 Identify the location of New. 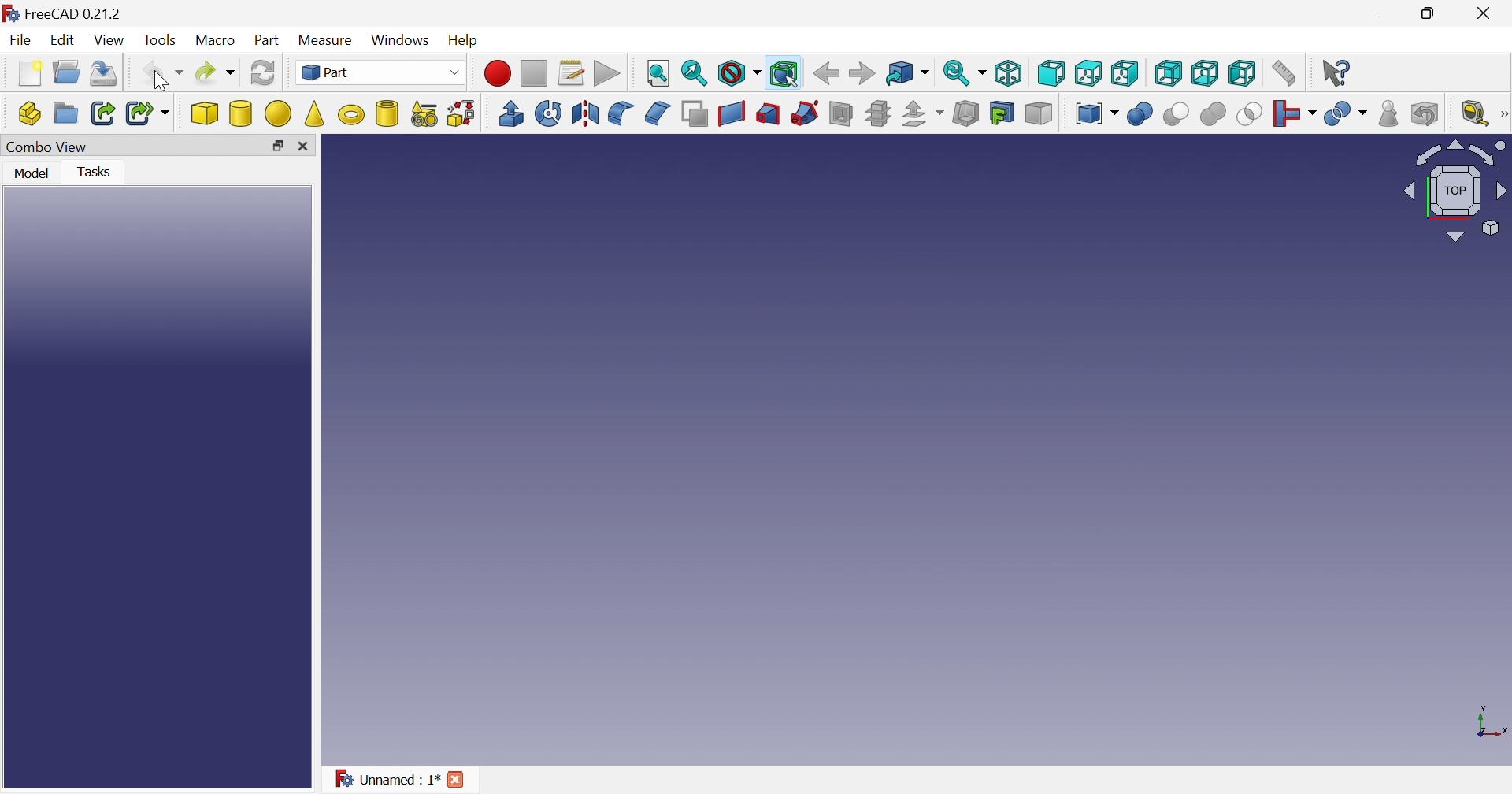
(28, 75).